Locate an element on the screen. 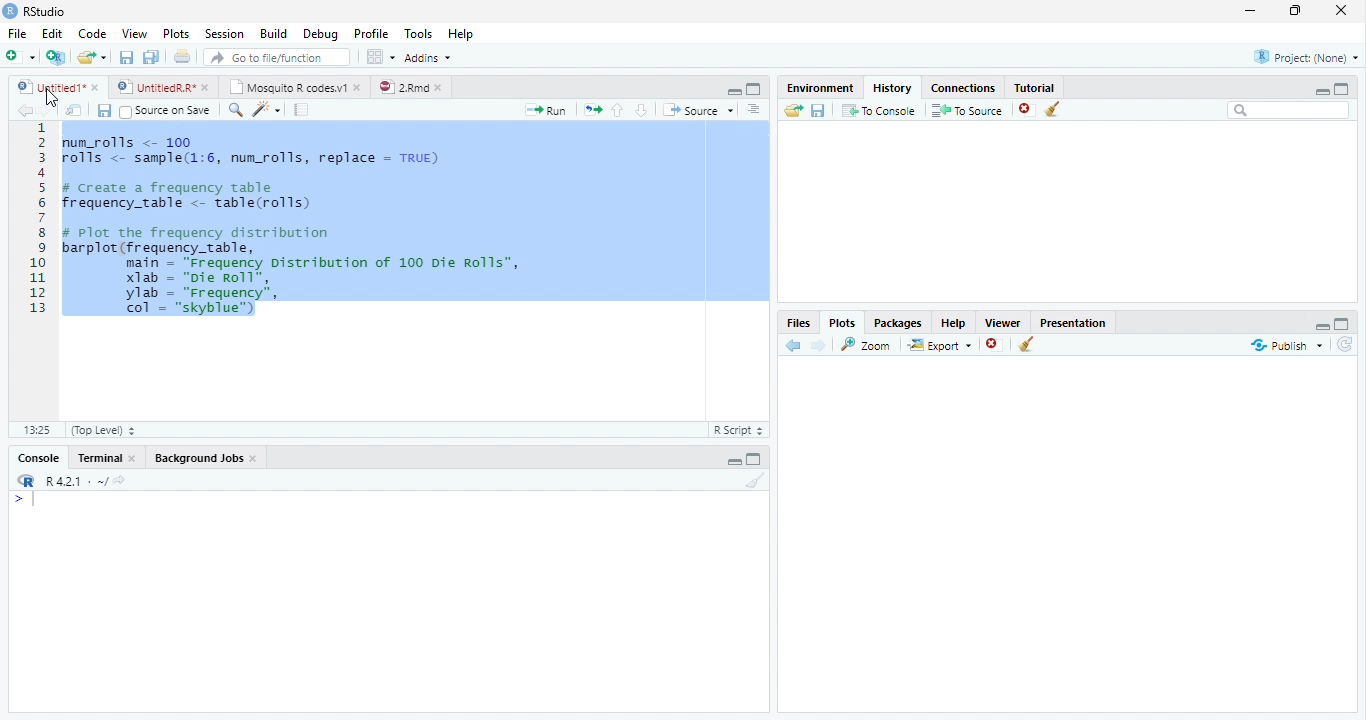  Save is located at coordinates (103, 110).